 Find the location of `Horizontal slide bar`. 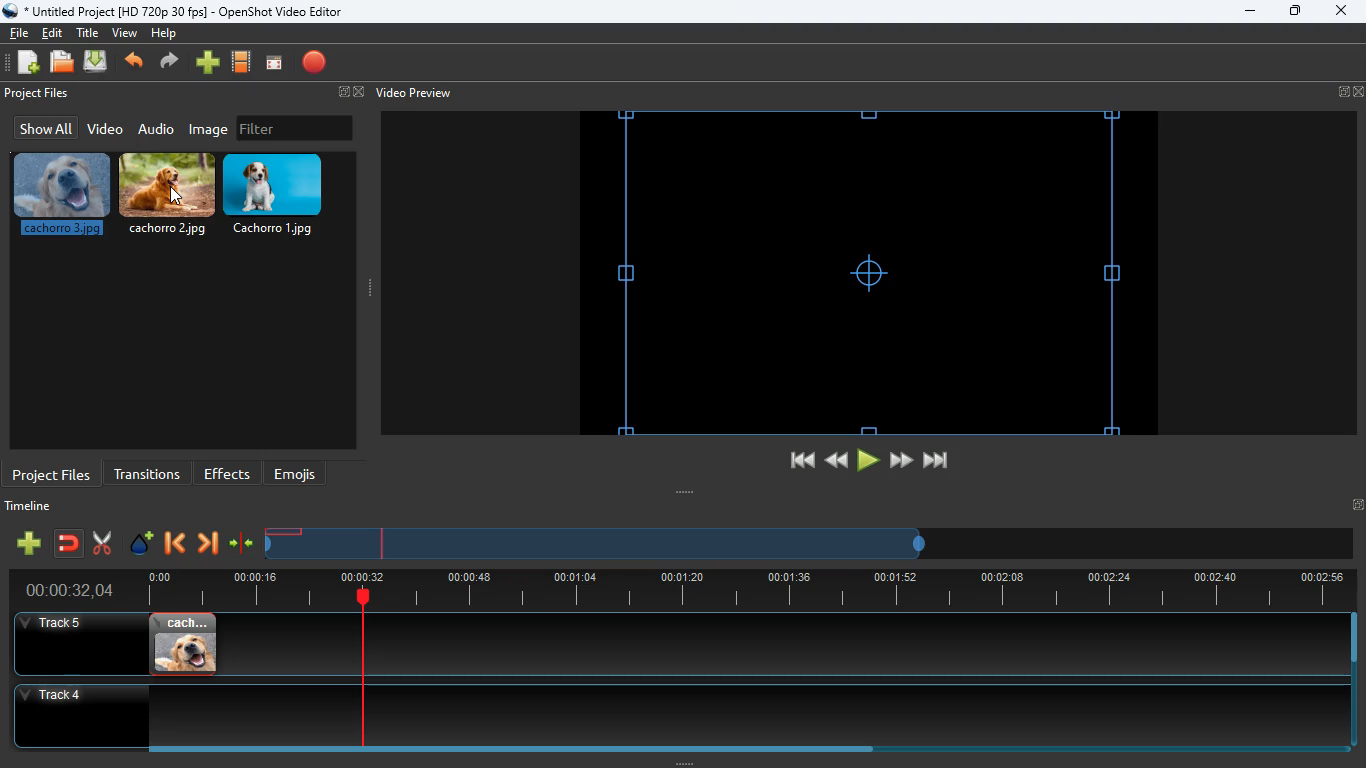

Horizontal slide bar is located at coordinates (735, 749).